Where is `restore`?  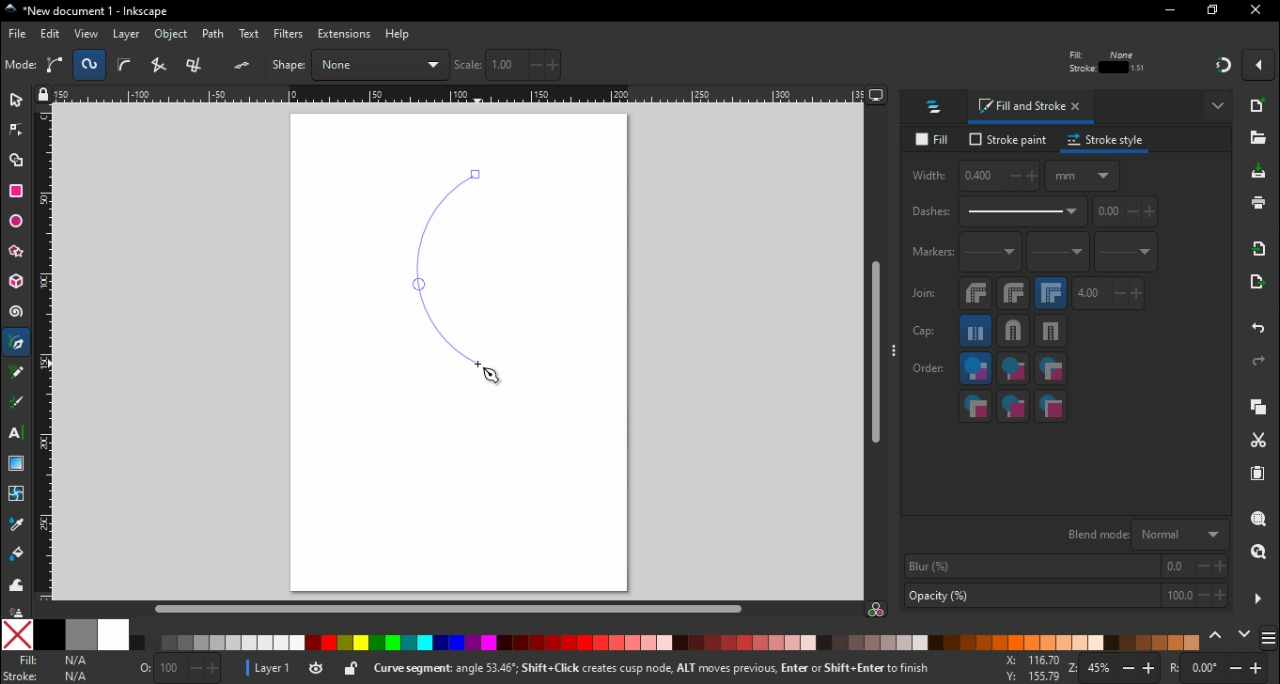 restore is located at coordinates (1214, 12).